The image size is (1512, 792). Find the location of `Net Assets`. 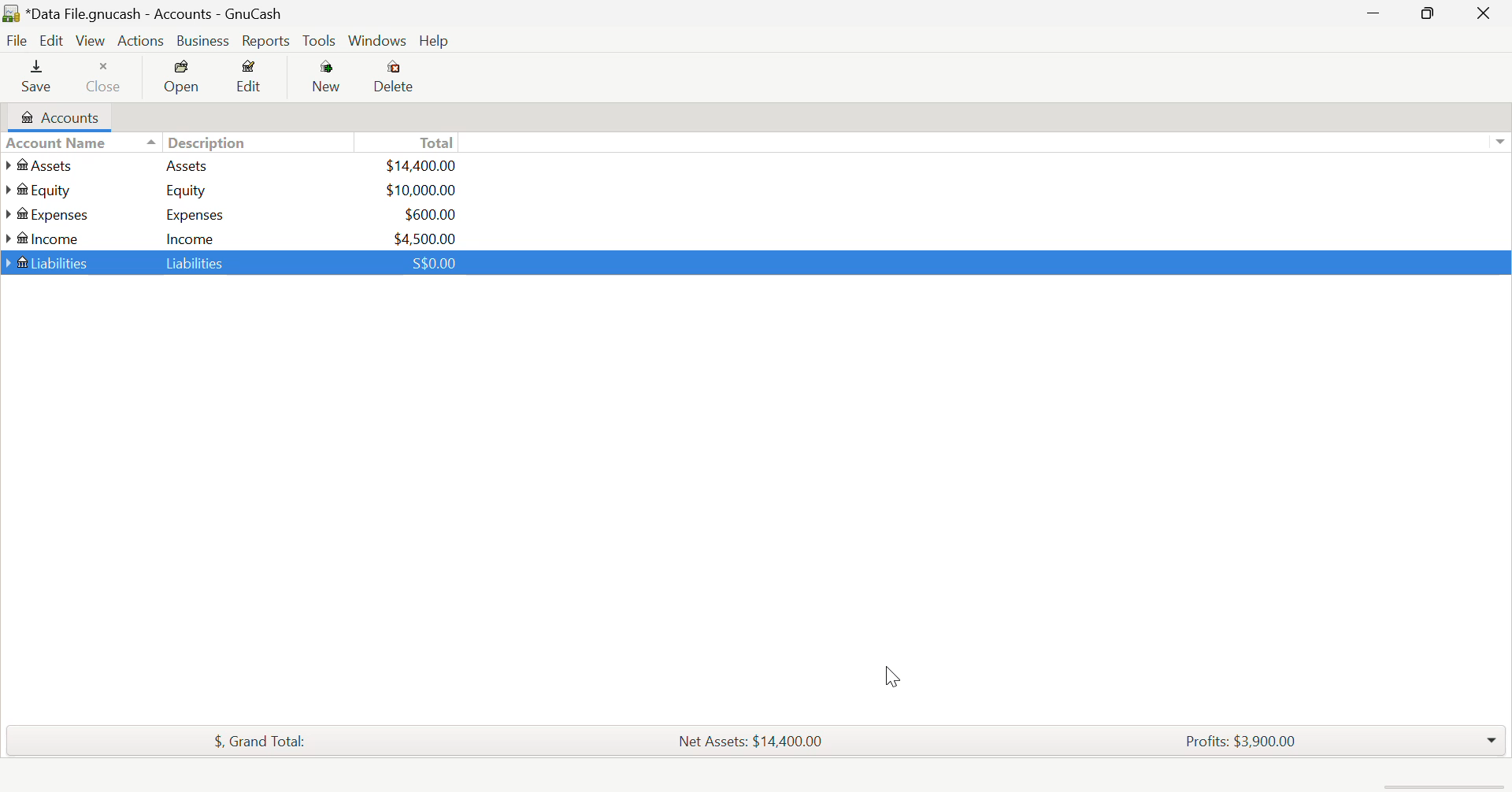

Net Assets is located at coordinates (754, 741).